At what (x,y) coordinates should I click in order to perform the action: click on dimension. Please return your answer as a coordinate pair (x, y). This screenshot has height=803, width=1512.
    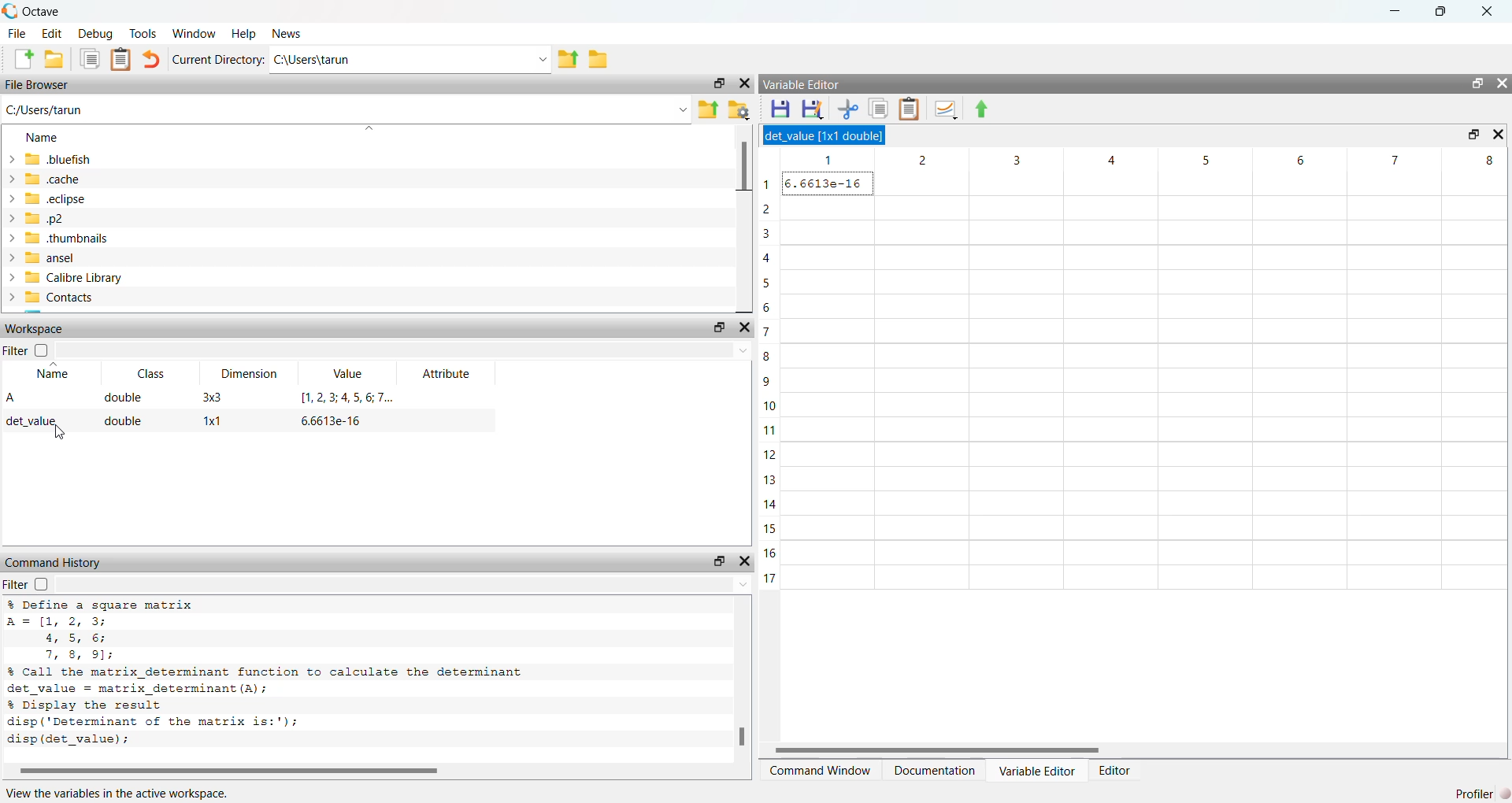
    Looking at the image, I should click on (251, 375).